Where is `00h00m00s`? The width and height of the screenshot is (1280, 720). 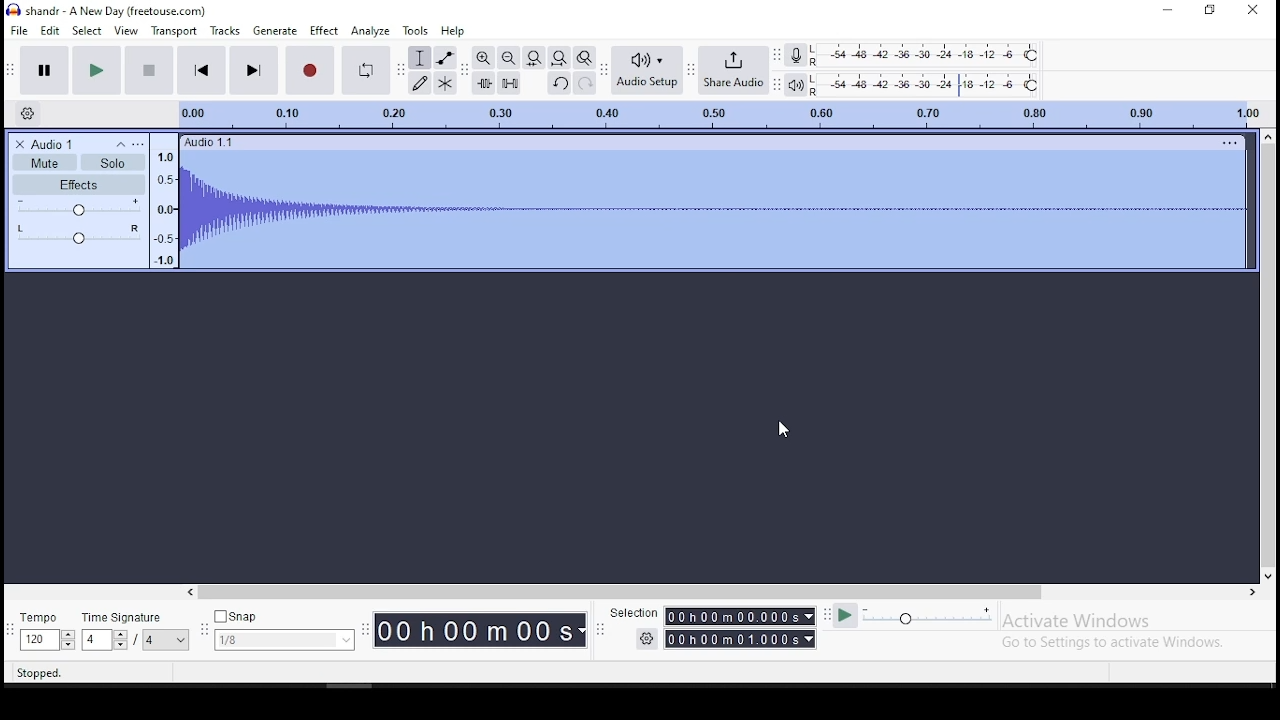
00h00m00s is located at coordinates (739, 616).